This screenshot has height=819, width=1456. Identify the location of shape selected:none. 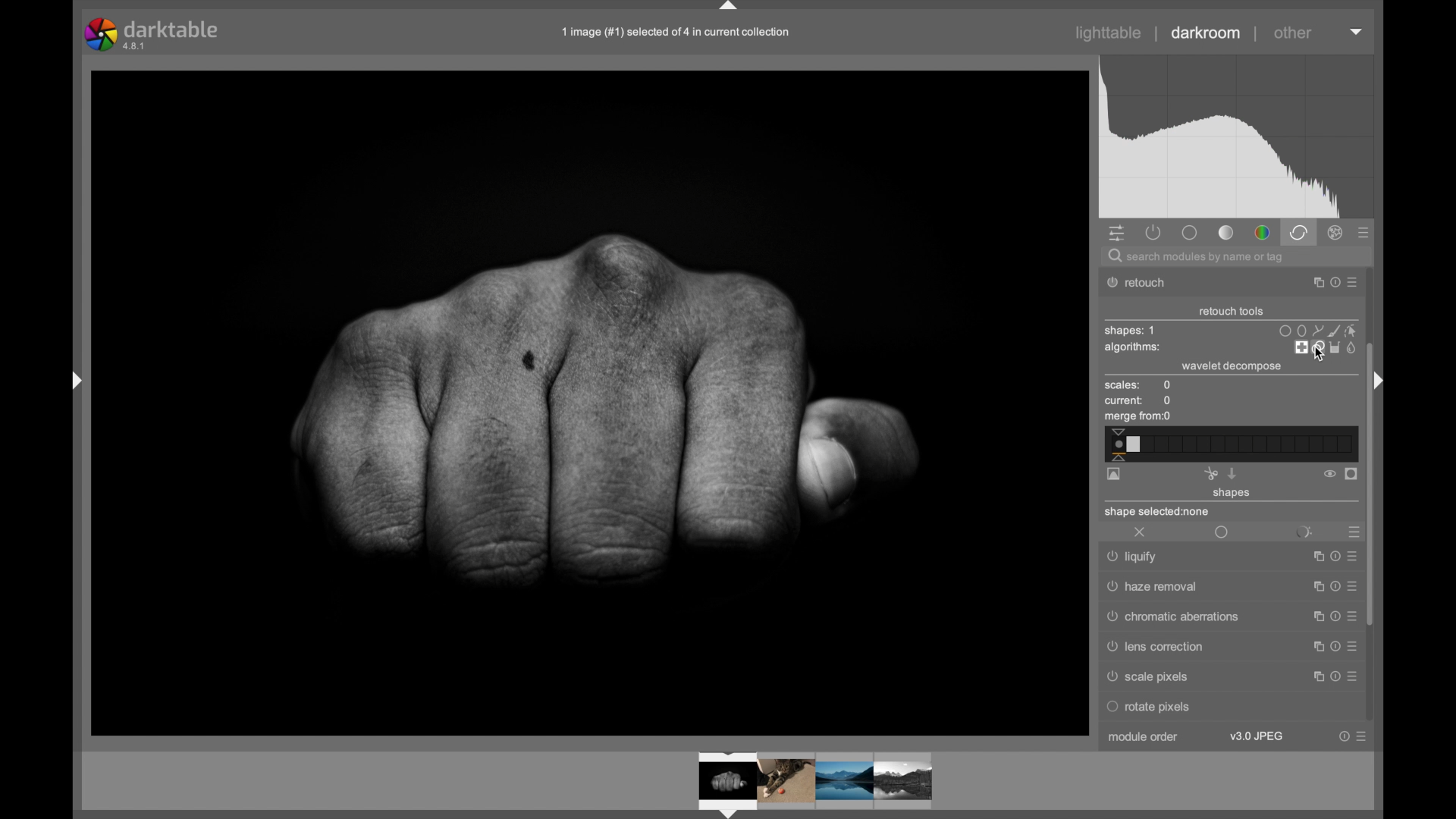
(1159, 513).